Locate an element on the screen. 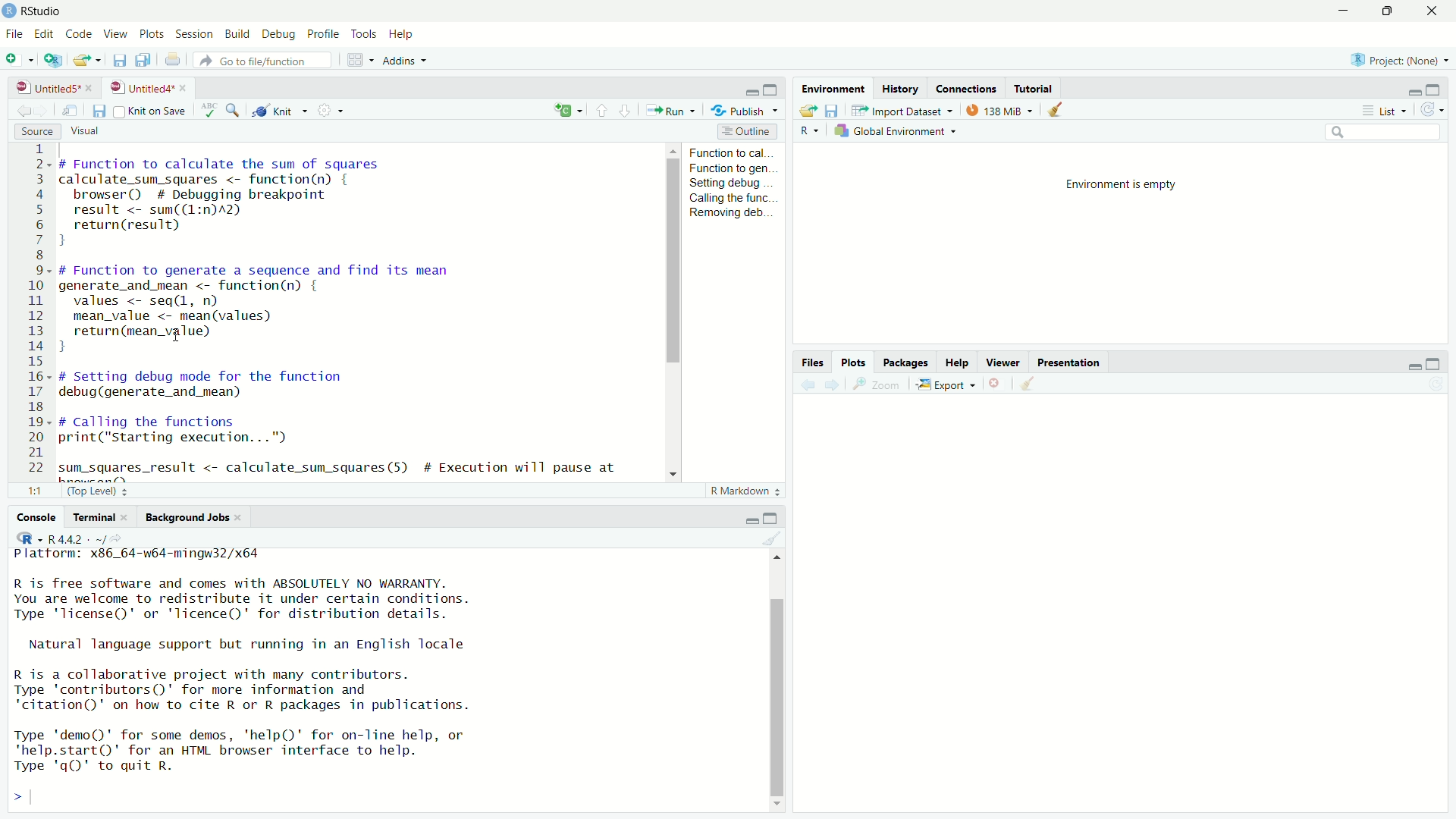 This screenshot has width=1456, height=819. function to cal... is located at coordinates (731, 152).